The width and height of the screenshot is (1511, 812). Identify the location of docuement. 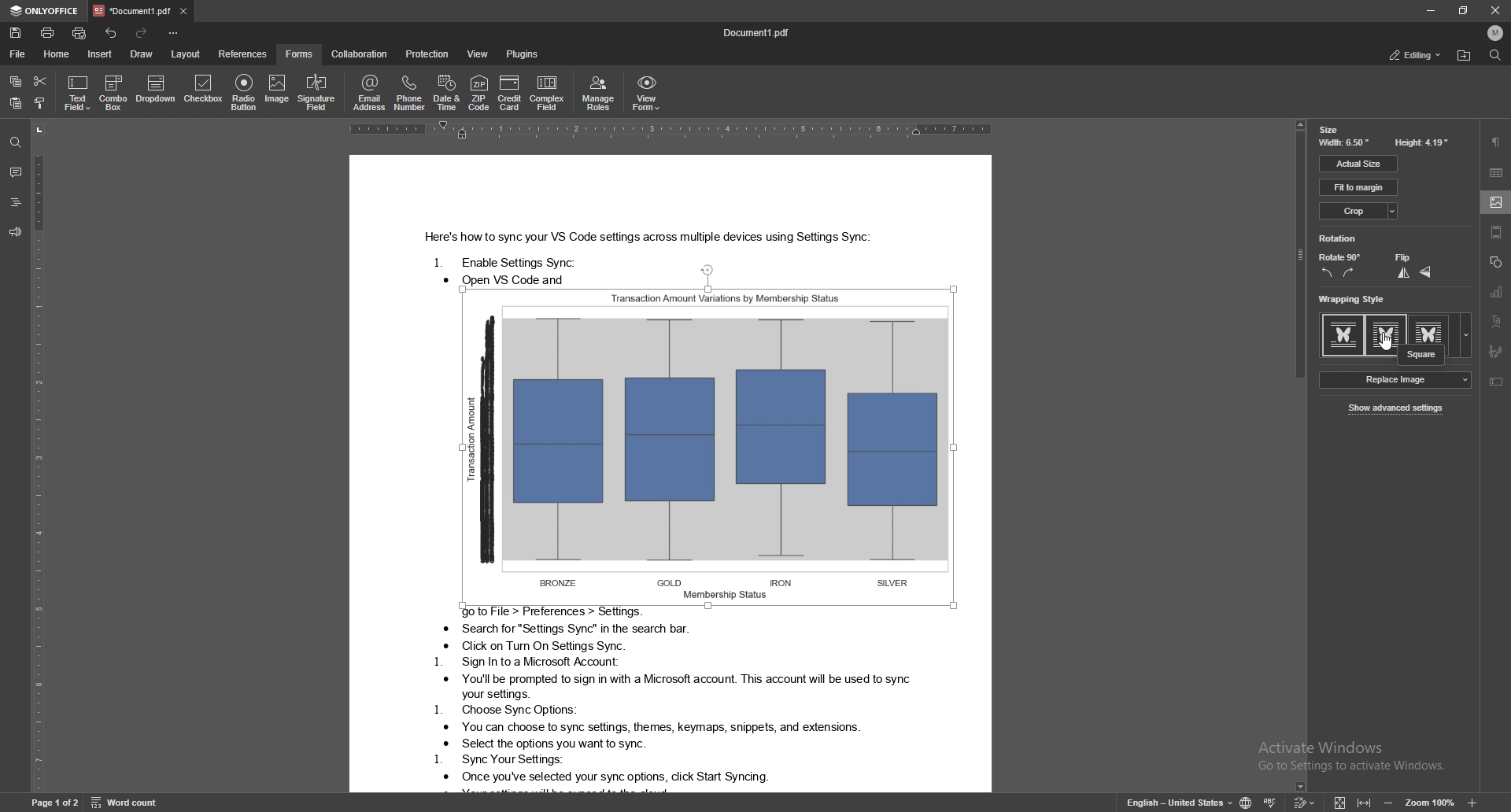
(765, 31).